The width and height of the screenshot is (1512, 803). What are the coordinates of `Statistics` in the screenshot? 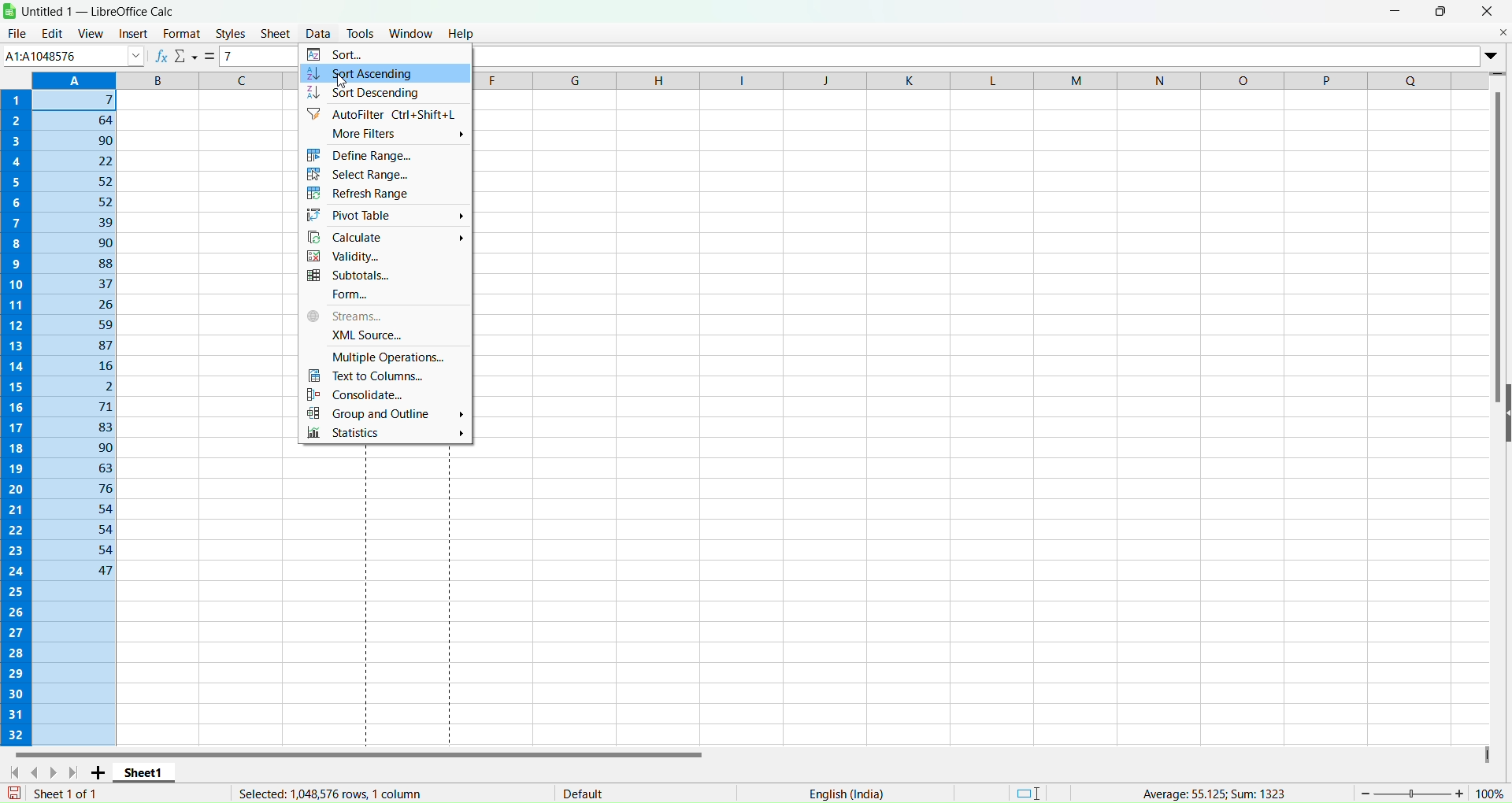 It's located at (385, 435).